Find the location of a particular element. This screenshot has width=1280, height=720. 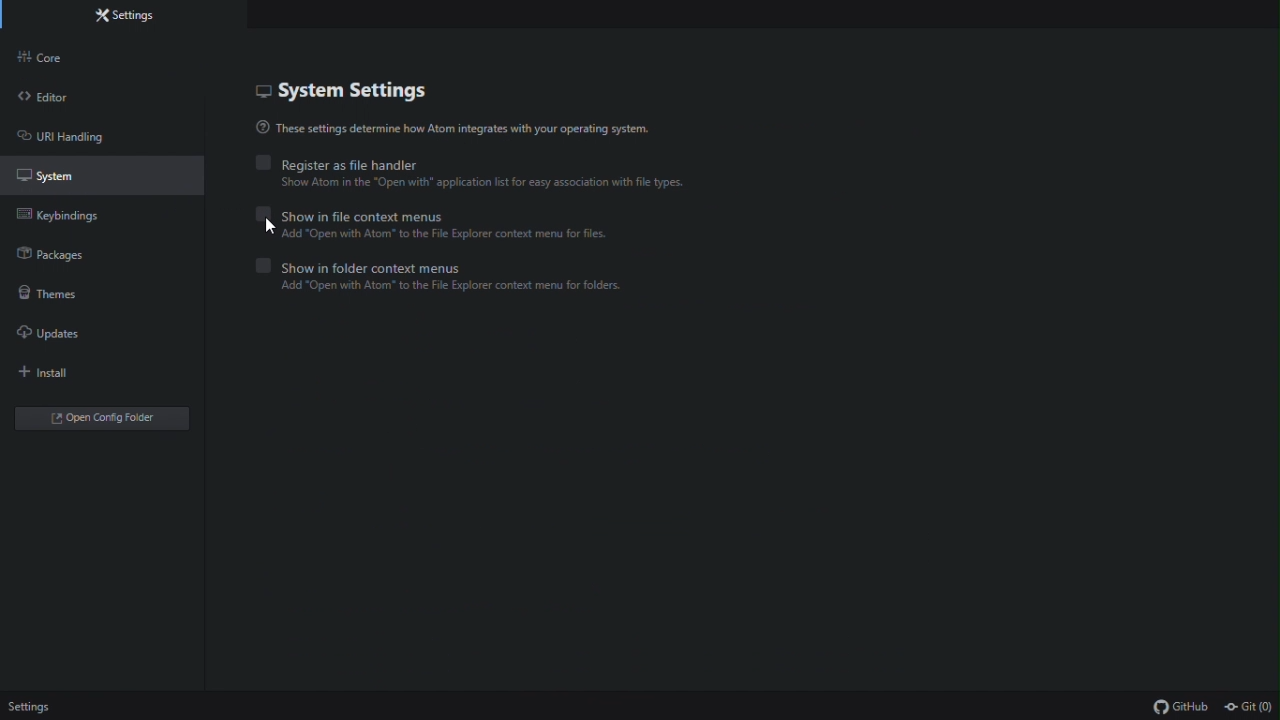

Show in file context Menus is located at coordinates (351, 213).